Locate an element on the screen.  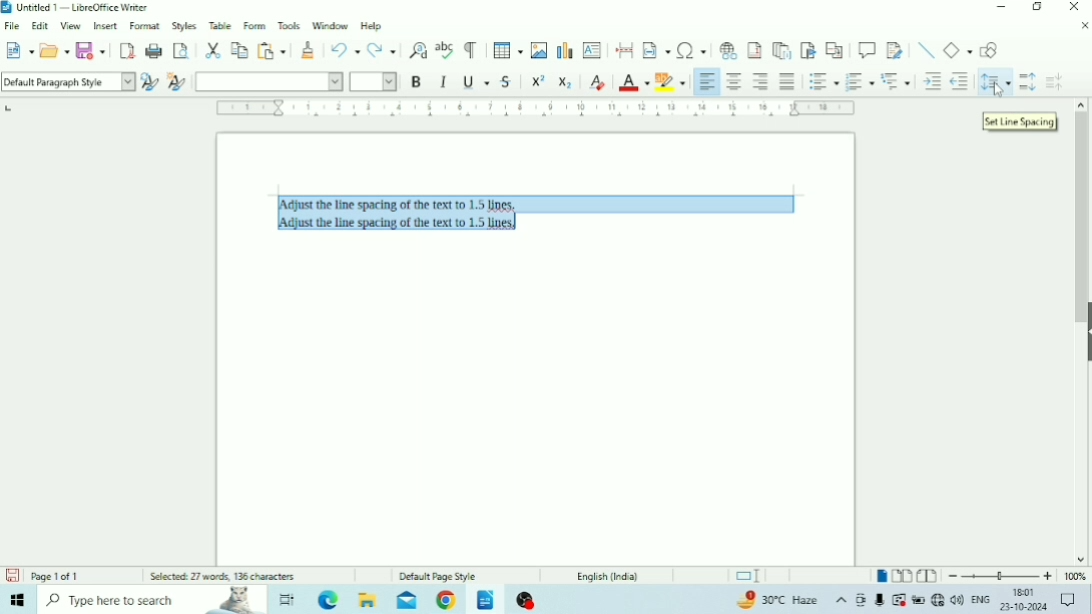
Google Chrome is located at coordinates (446, 600).